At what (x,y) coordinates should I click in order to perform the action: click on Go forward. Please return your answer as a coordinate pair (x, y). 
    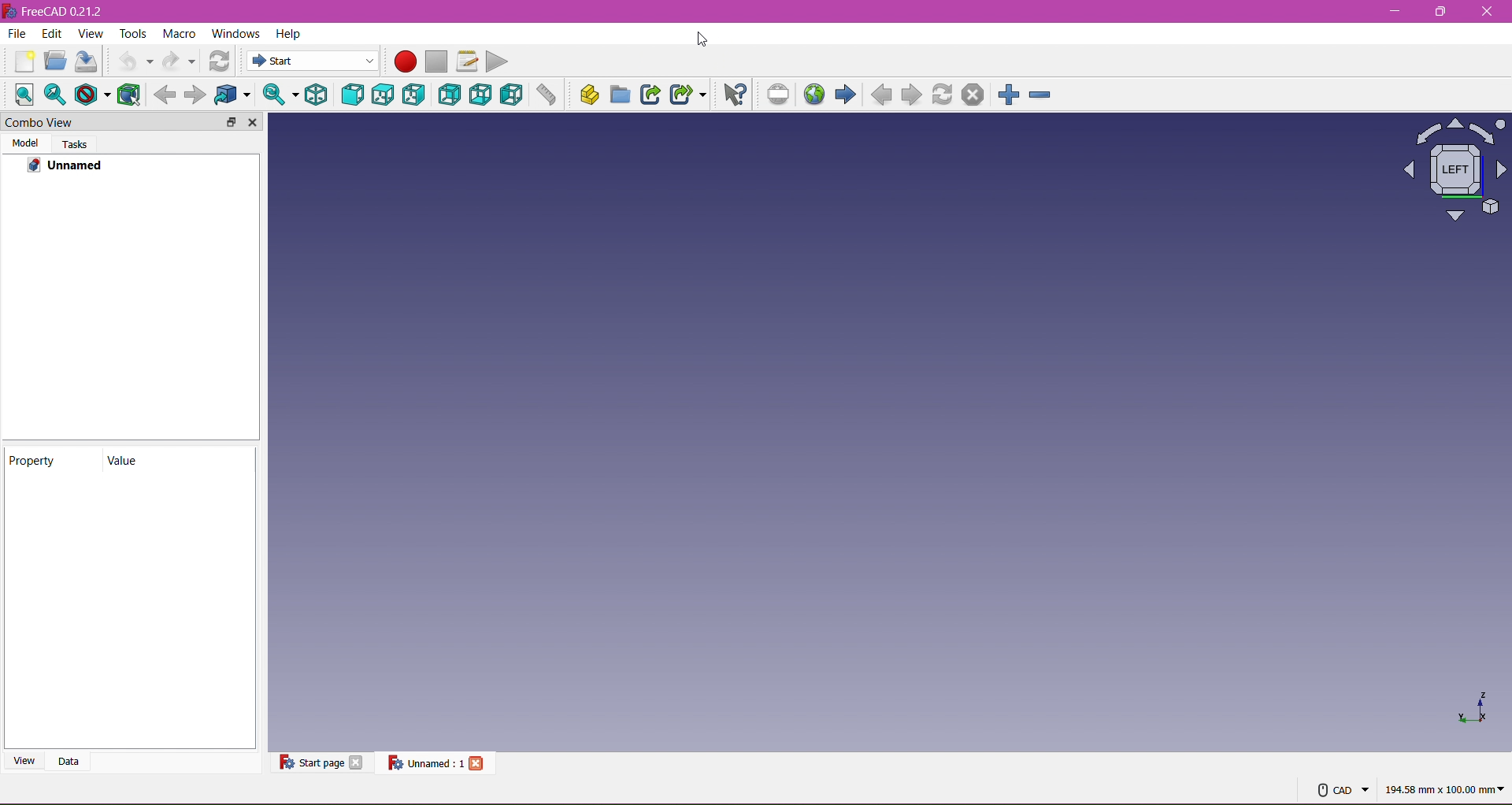
    Looking at the image, I should click on (196, 96).